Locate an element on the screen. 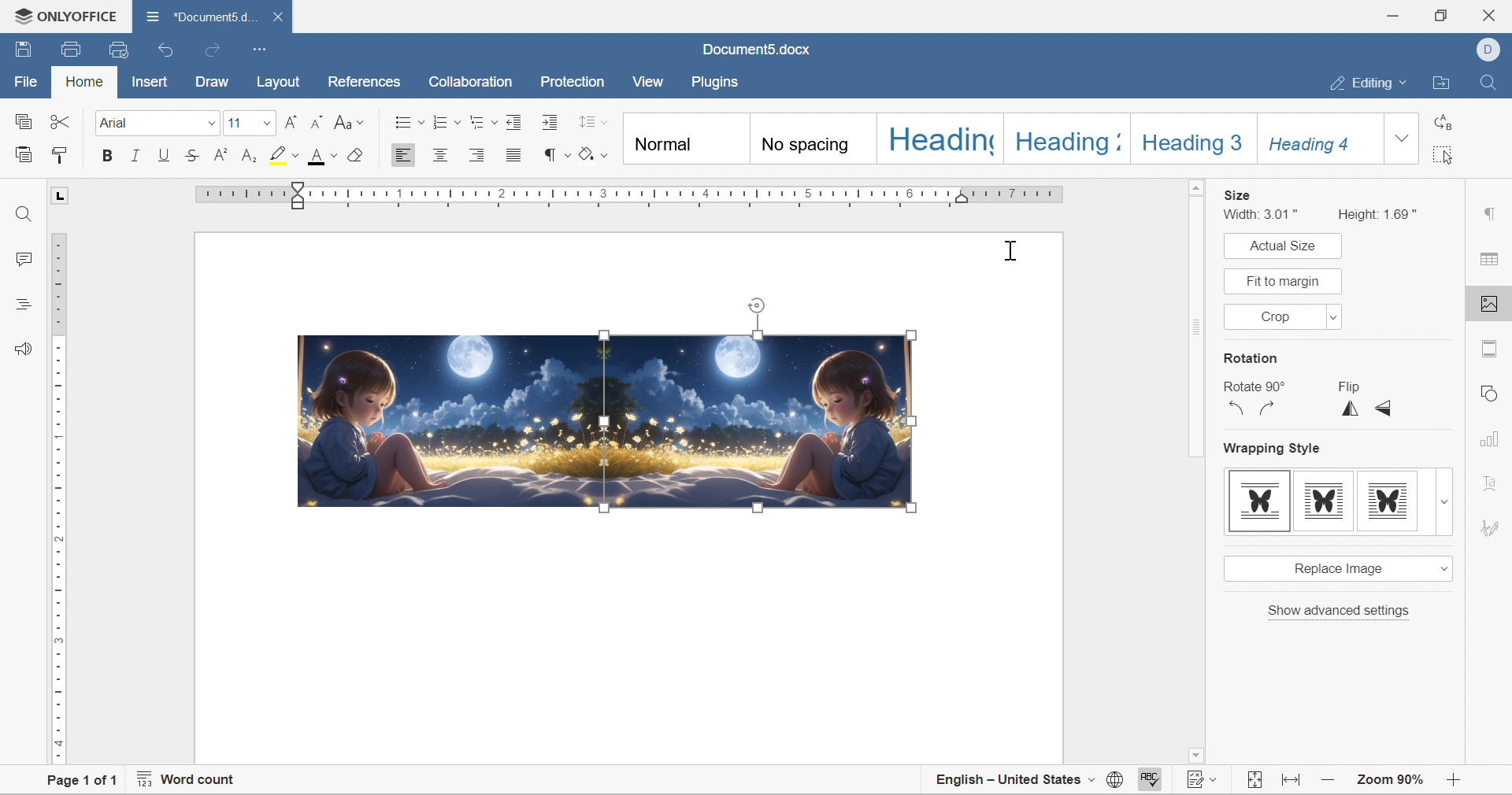  superscript is located at coordinates (220, 154).